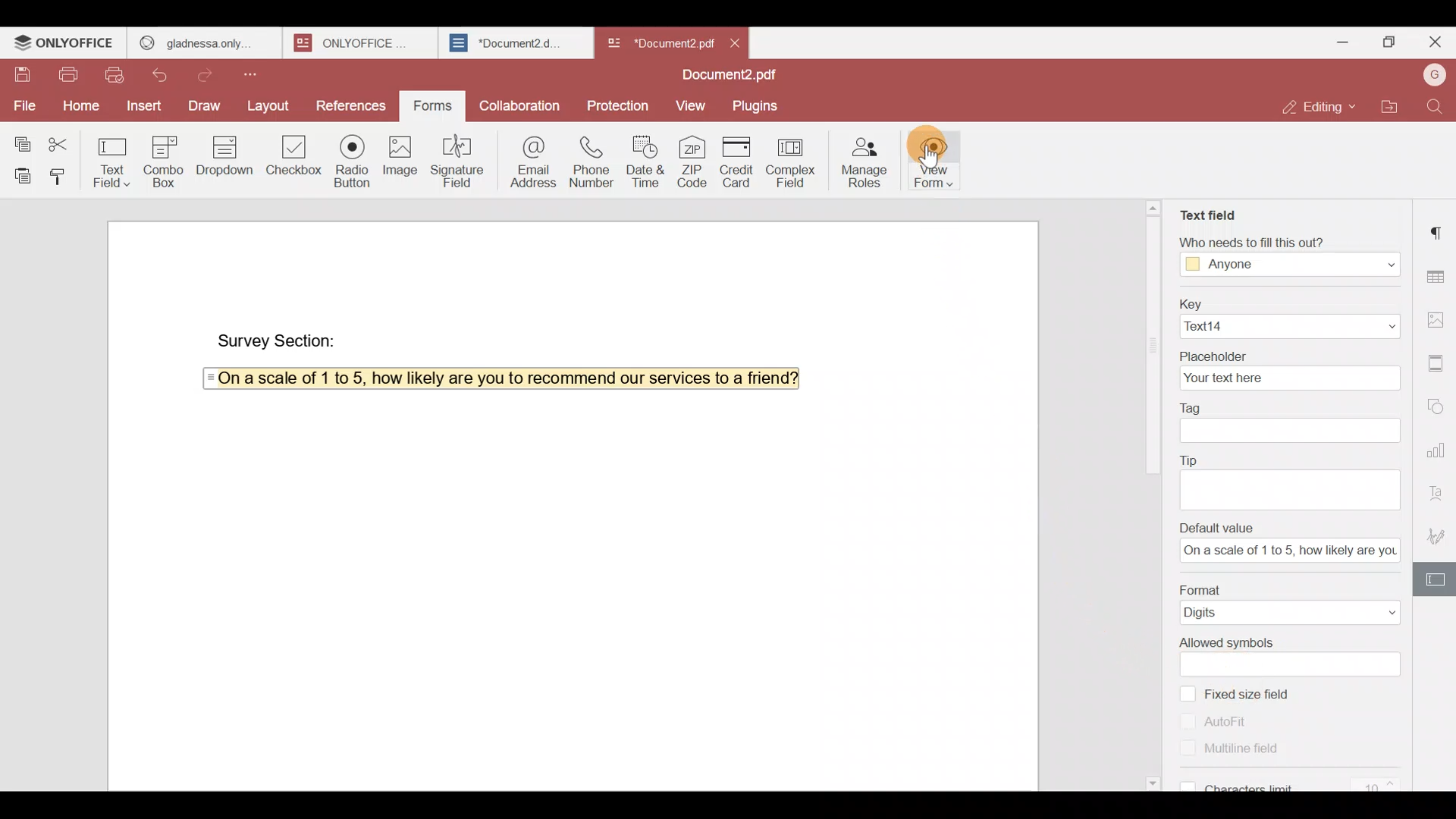 The width and height of the screenshot is (1456, 819). I want to click on Tag, so click(1284, 405).